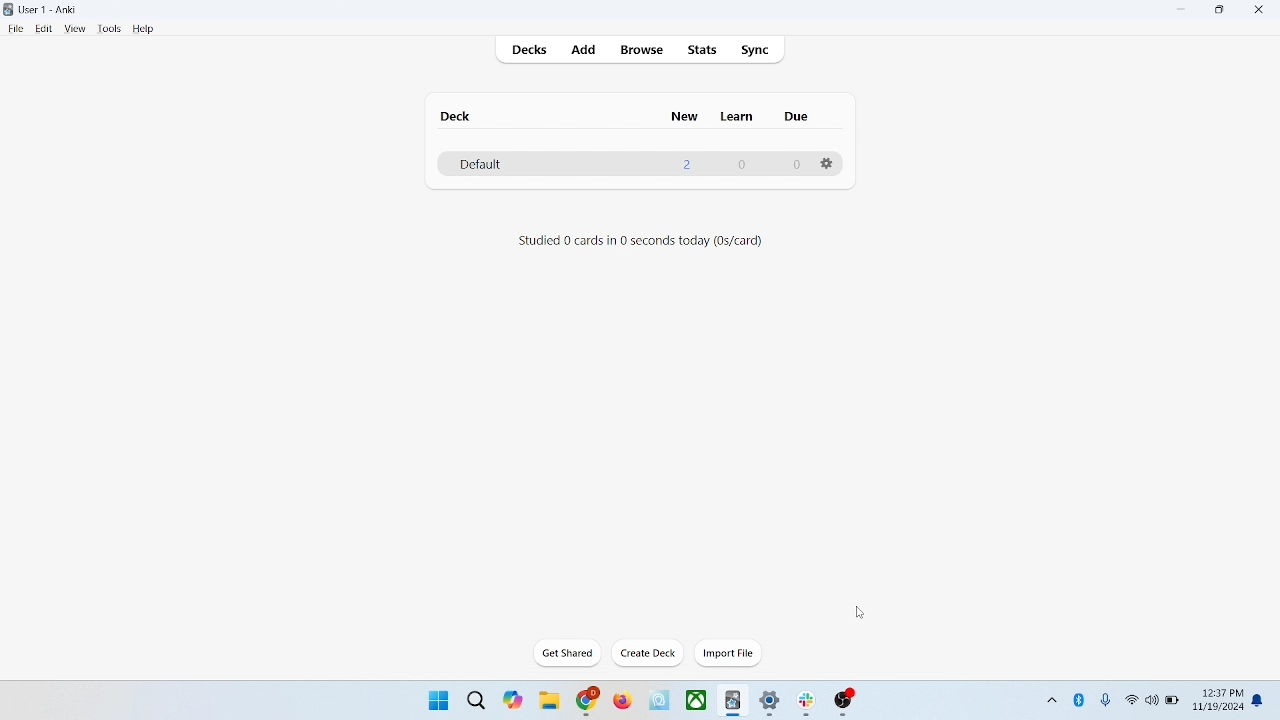 This screenshot has height=720, width=1280. Describe the element at coordinates (740, 164) in the screenshot. I see `0` at that location.